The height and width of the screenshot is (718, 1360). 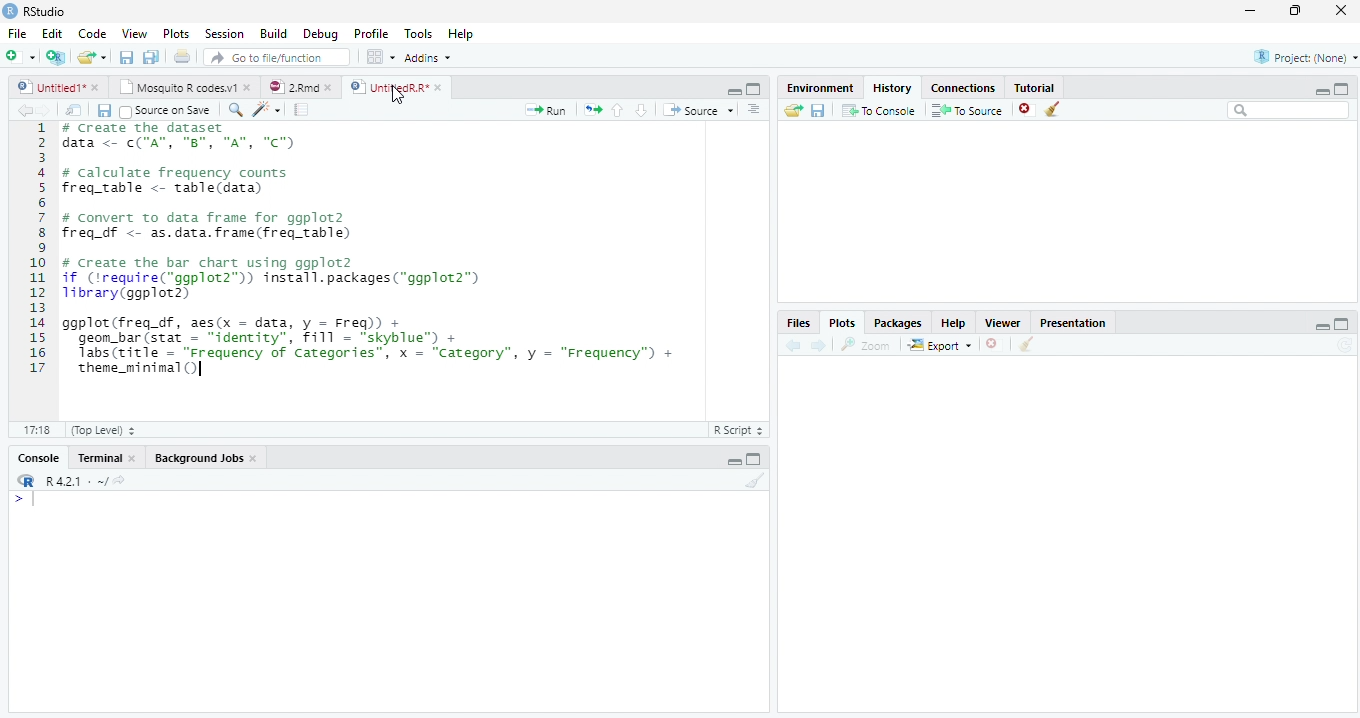 I want to click on Terminal, so click(x=107, y=457).